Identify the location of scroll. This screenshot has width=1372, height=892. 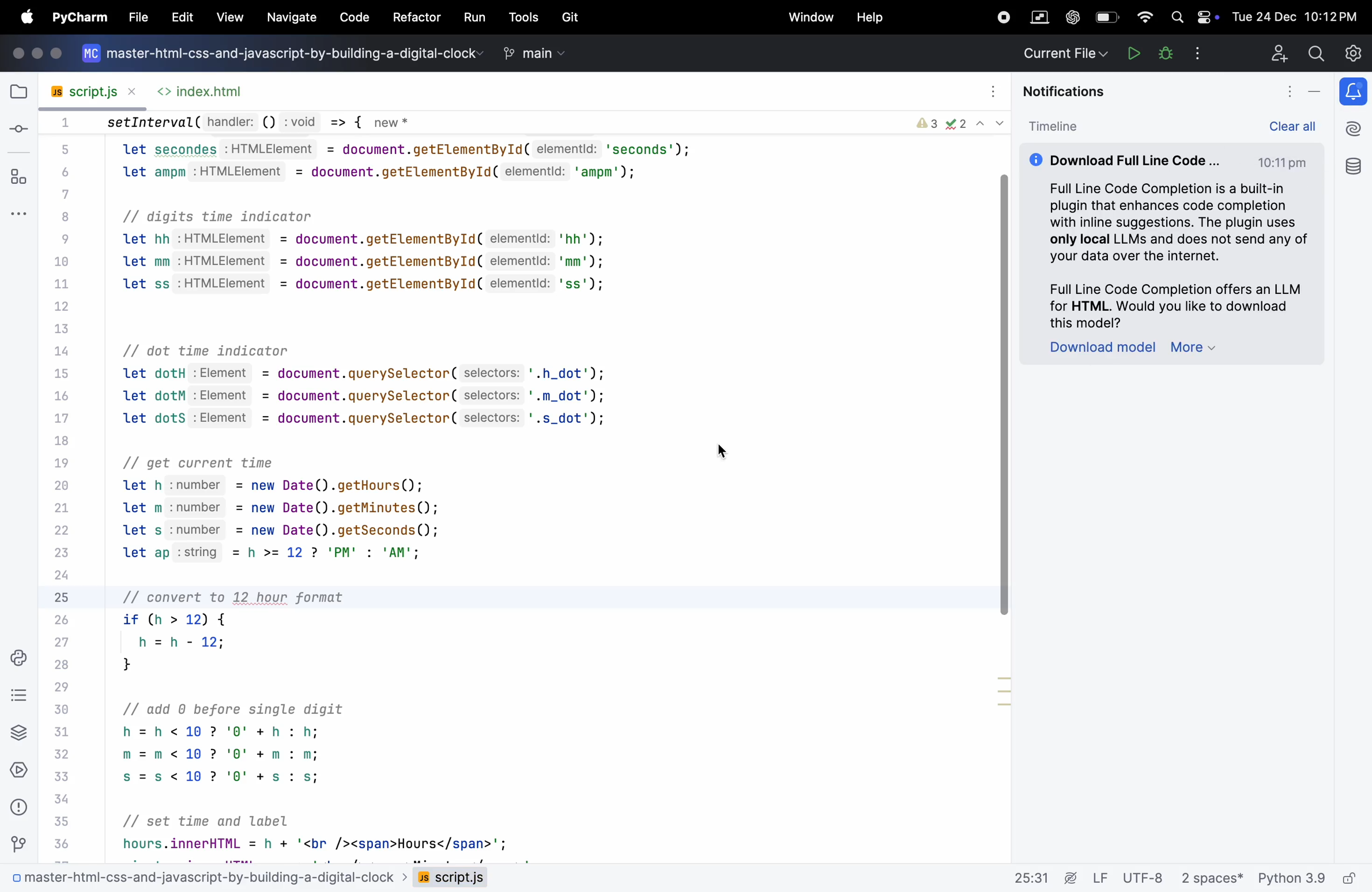
(1002, 393).